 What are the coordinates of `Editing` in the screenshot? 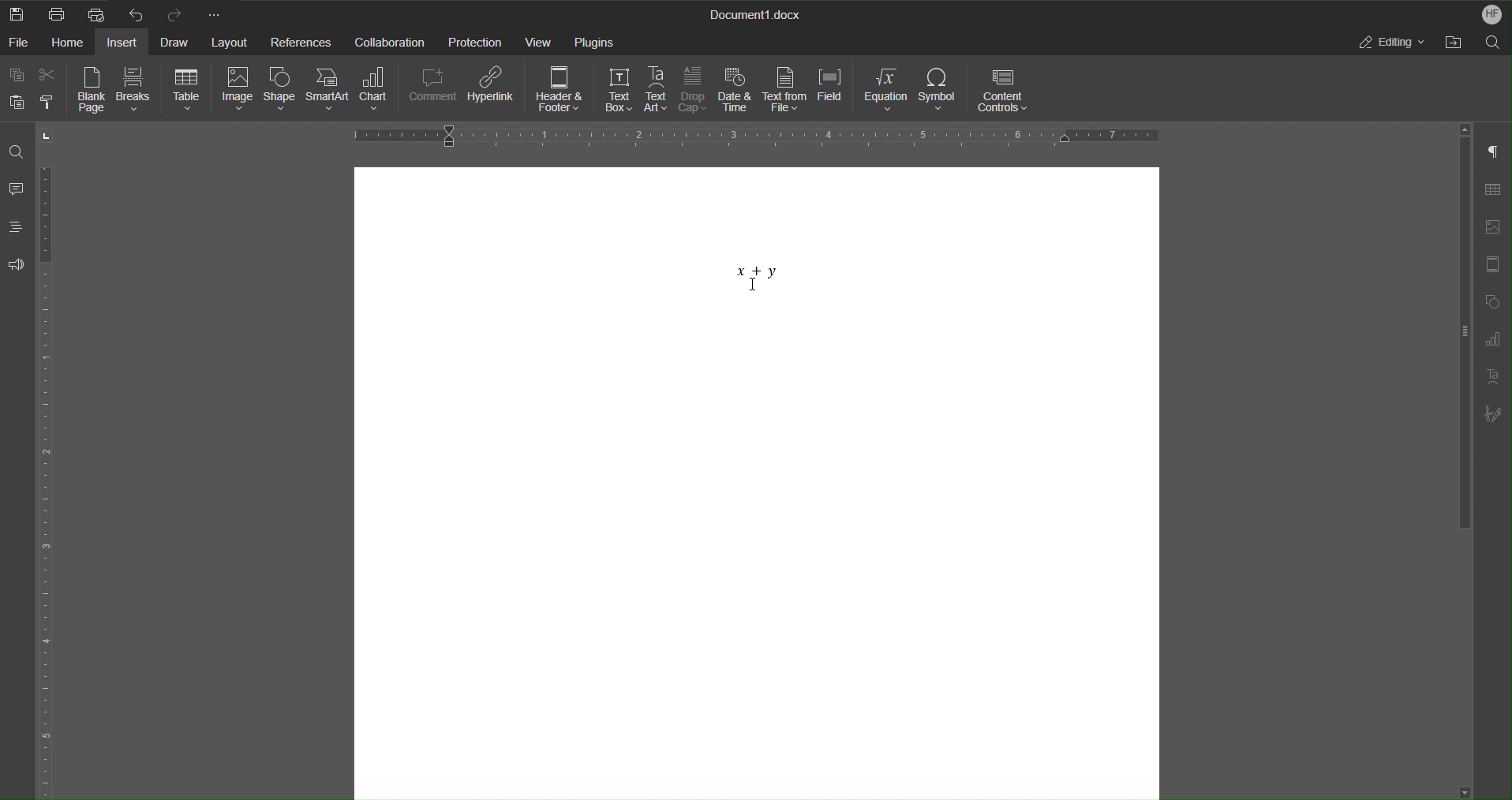 It's located at (1387, 44).